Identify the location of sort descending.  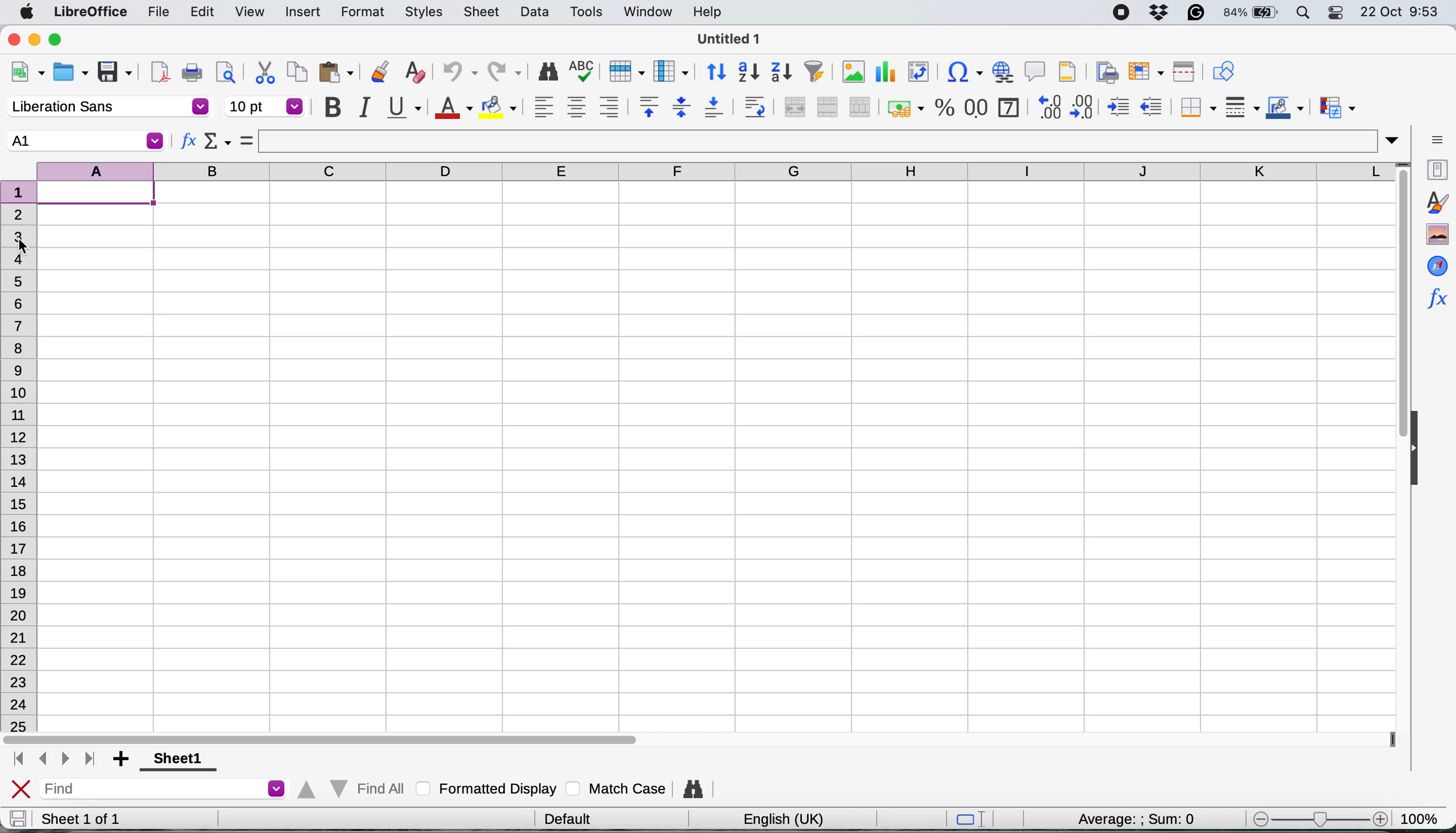
(782, 73).